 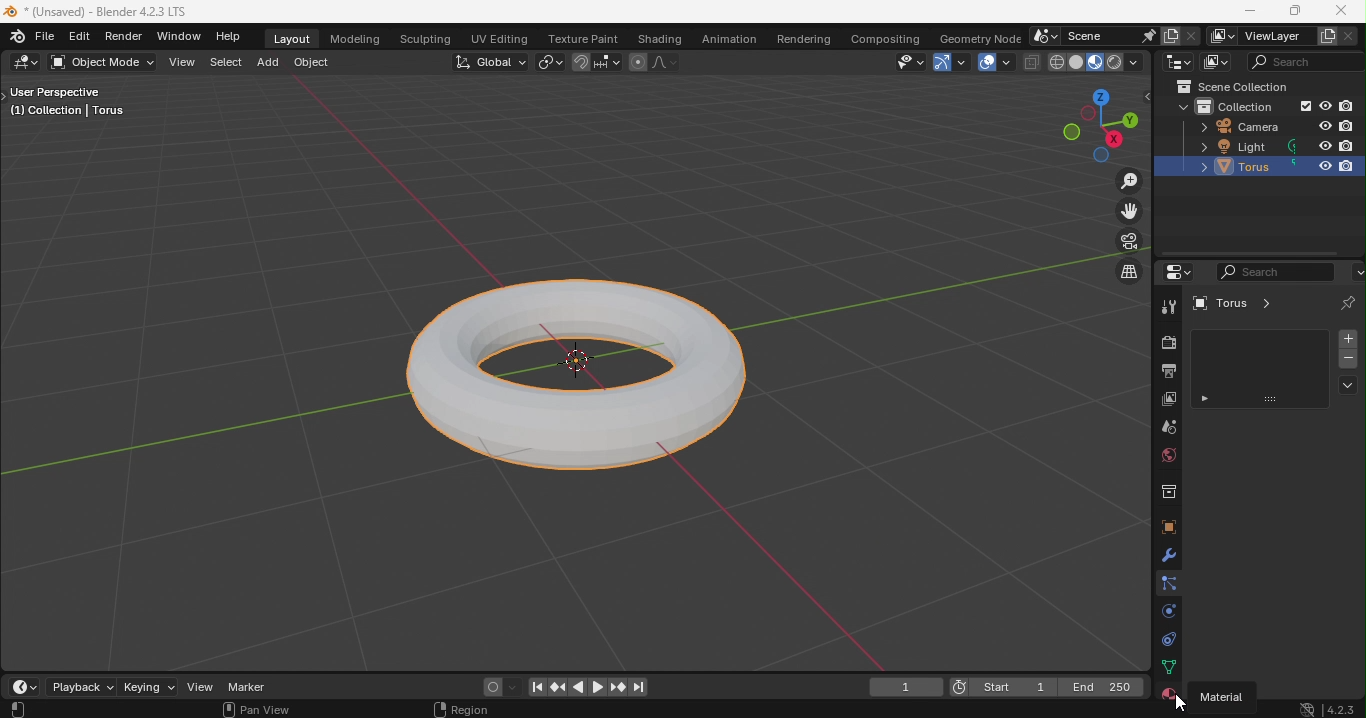 What do you see at coordinates (1219, 147) in the screenshot?
I see `Light` at bounding box center [1219, 147].